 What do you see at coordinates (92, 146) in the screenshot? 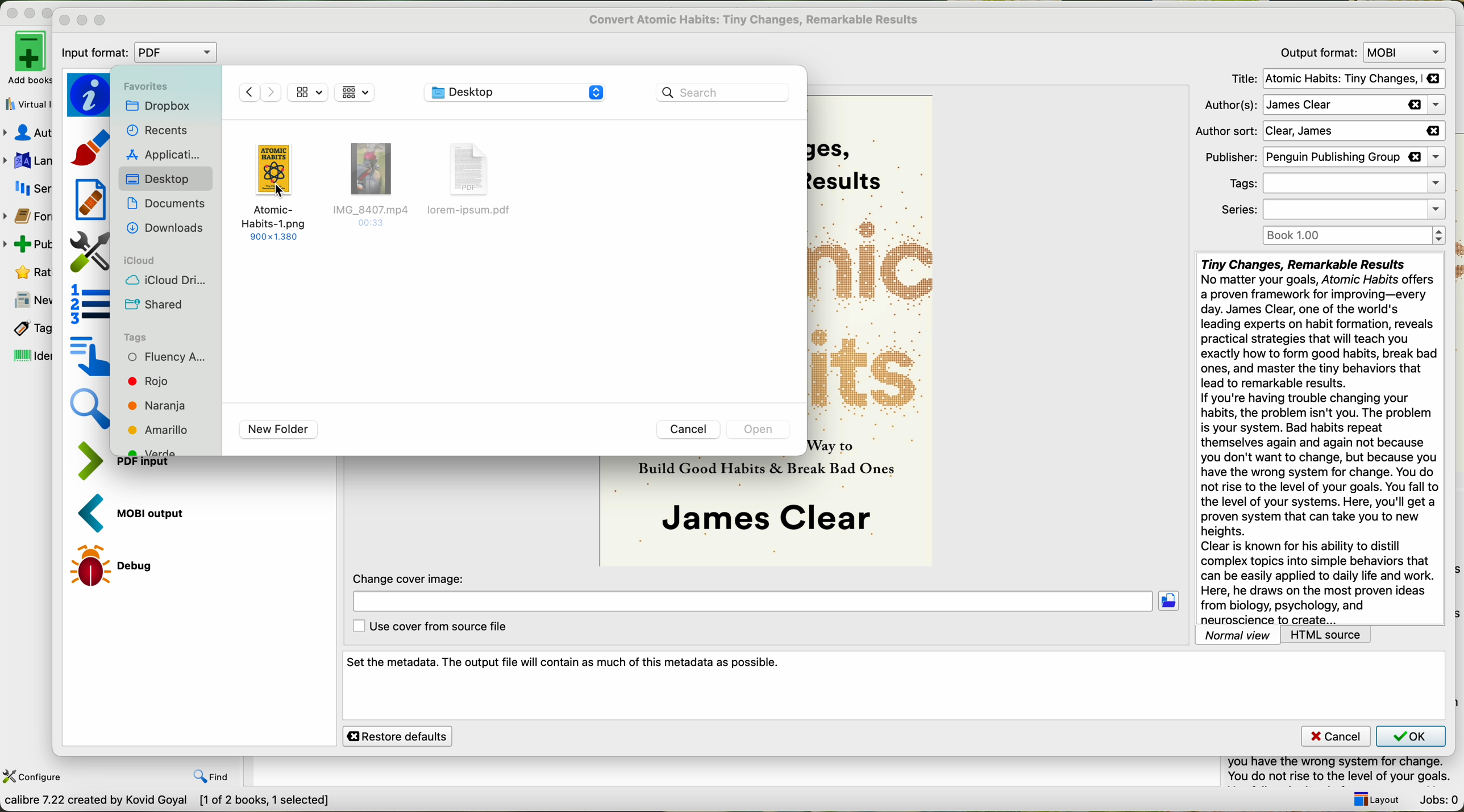
I see `look and feel` at bounding box center [92, 146].